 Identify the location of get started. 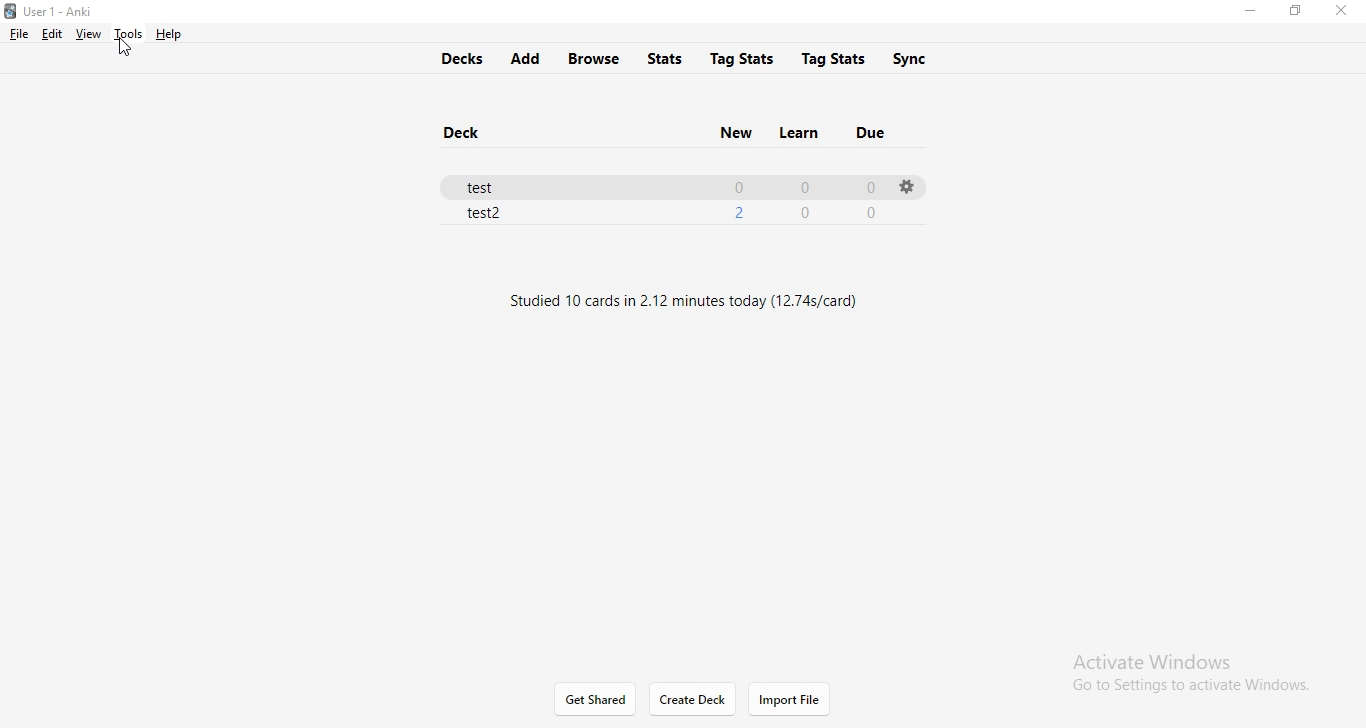
(595, 700).